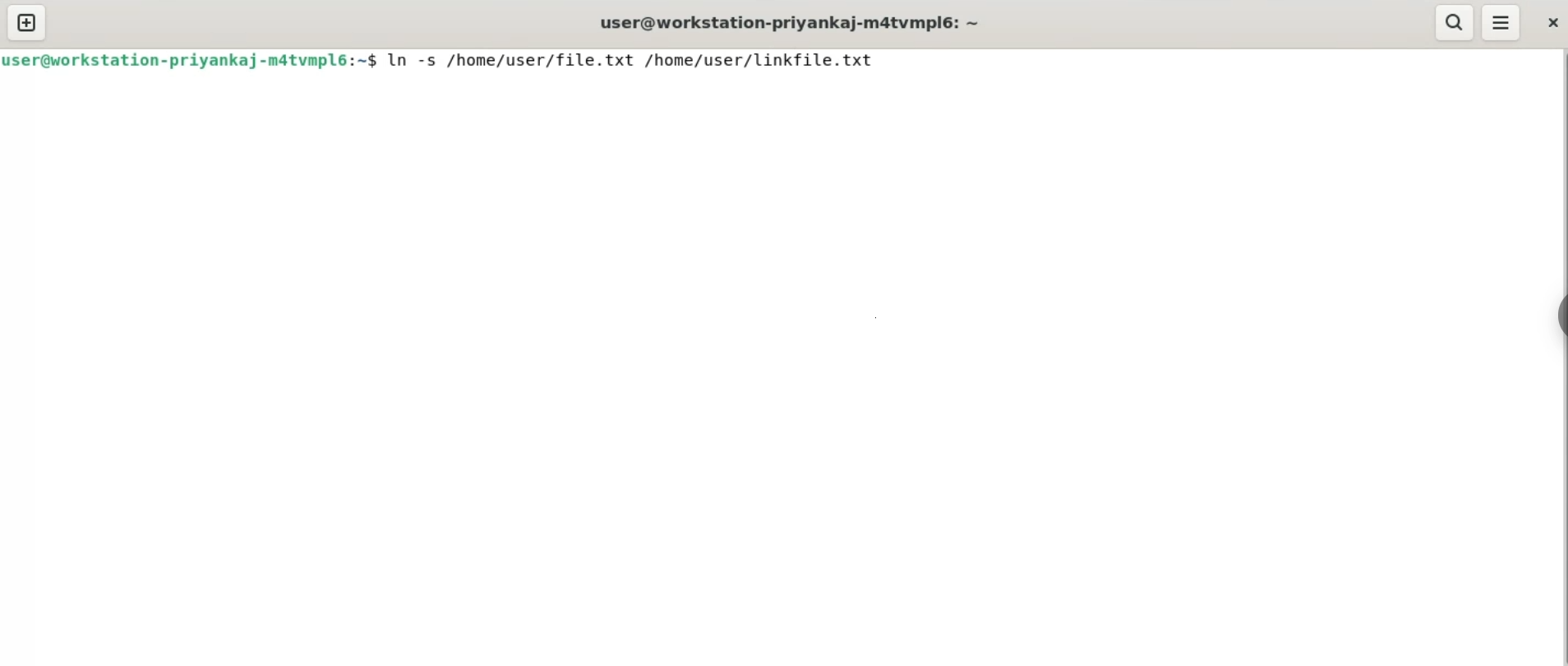 Image resolution: width=1568 pixels, height=666 pixels. Describe the element at coordinates (192, 60) in the screenshot. I see ` user@workstation-priyanka-m4tvmpl6:~$` at that location.